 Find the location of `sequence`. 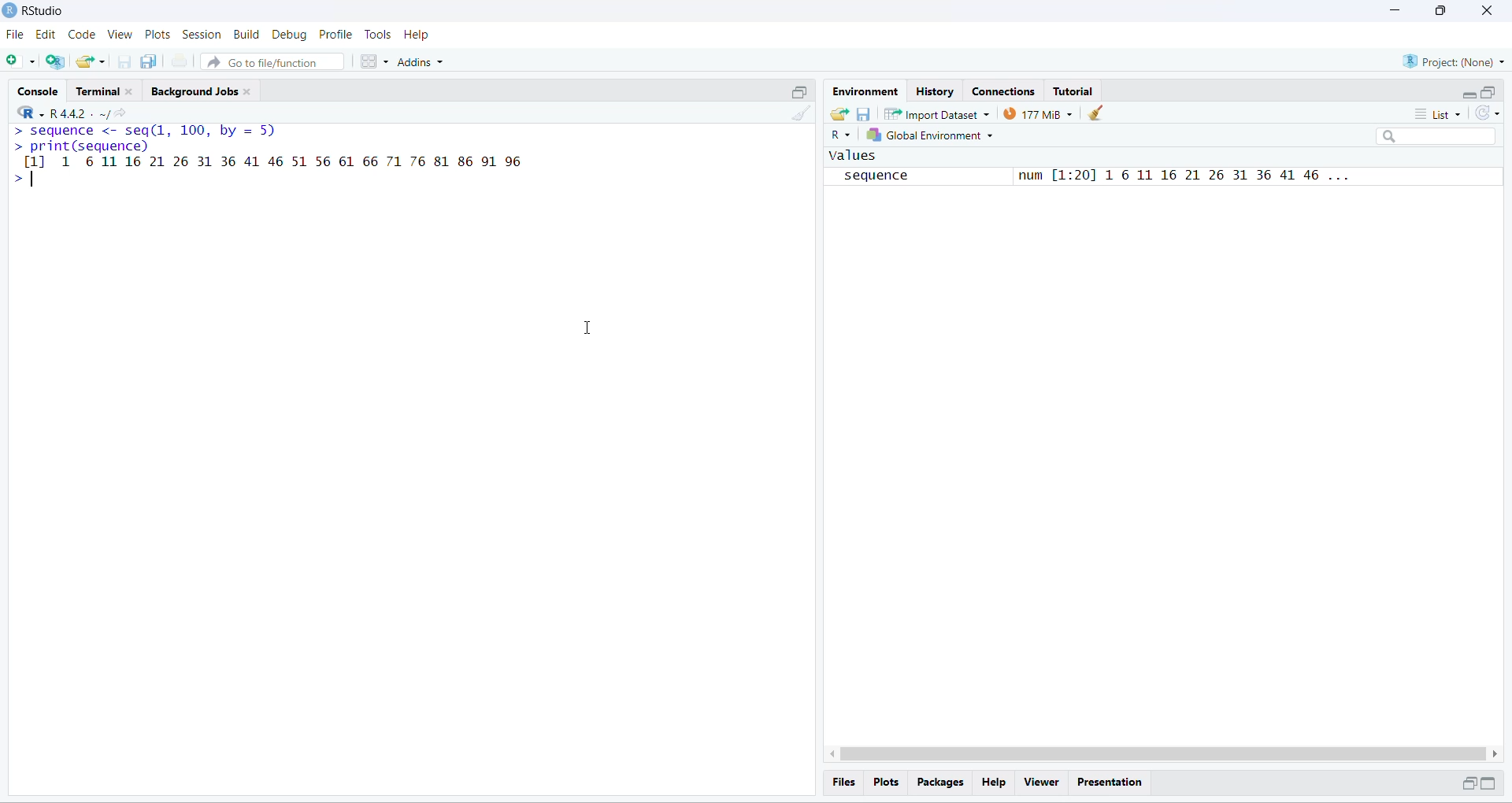

sequence is located at coordinates (883, 176).